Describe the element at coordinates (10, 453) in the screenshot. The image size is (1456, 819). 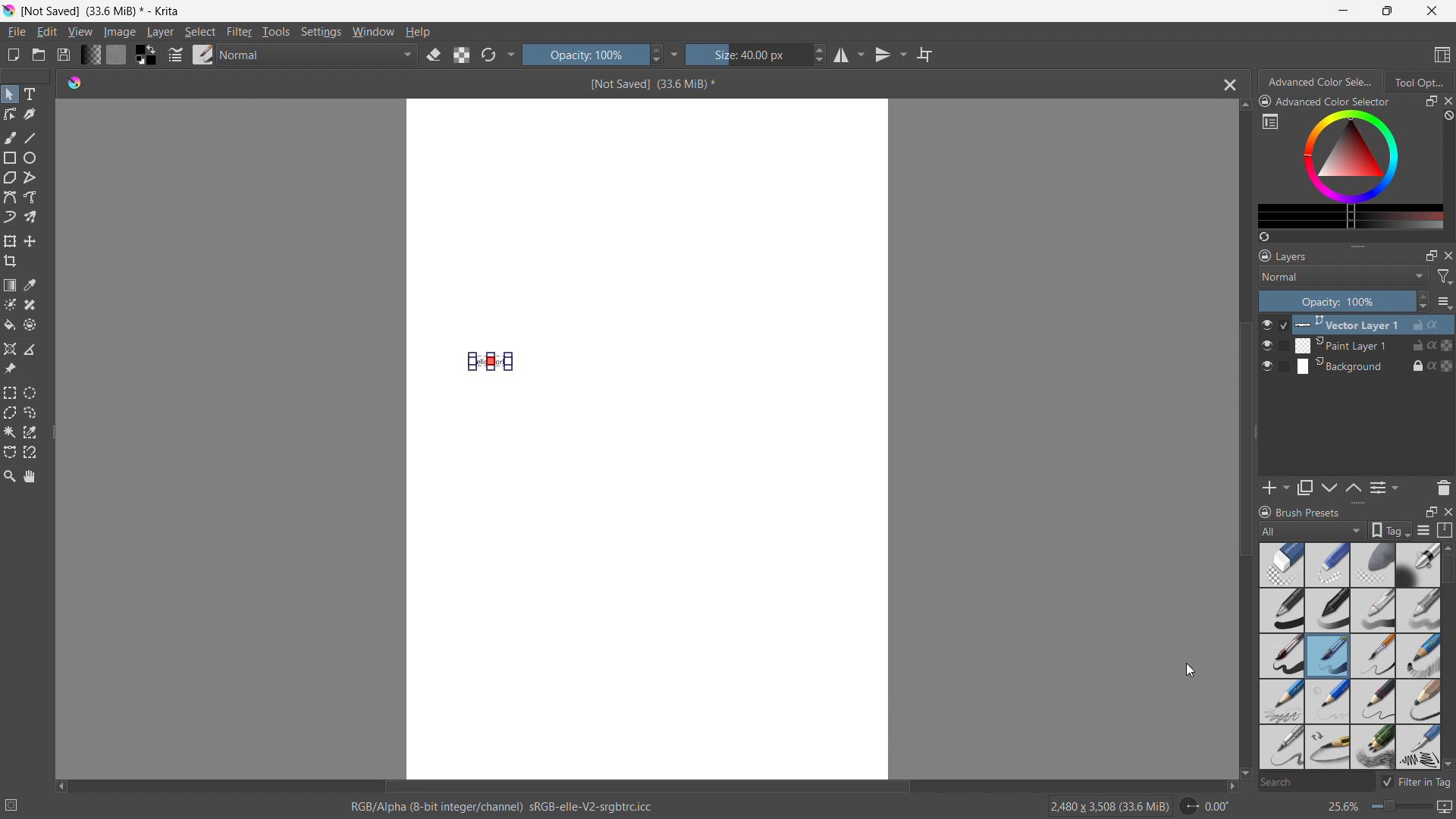
I see `bezier curve selection tool` at that location.